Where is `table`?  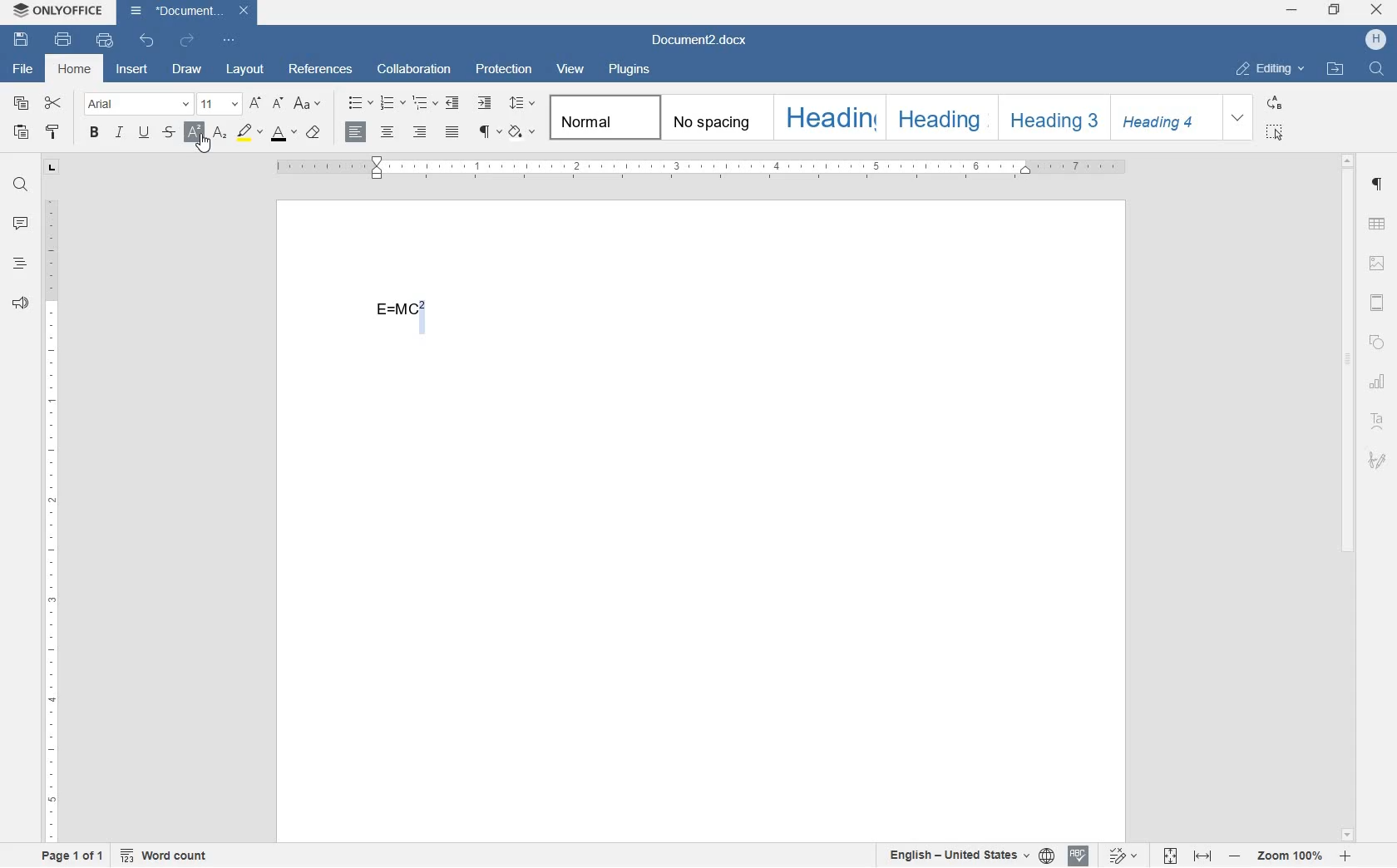 table is located at coordinates (1378, 224).